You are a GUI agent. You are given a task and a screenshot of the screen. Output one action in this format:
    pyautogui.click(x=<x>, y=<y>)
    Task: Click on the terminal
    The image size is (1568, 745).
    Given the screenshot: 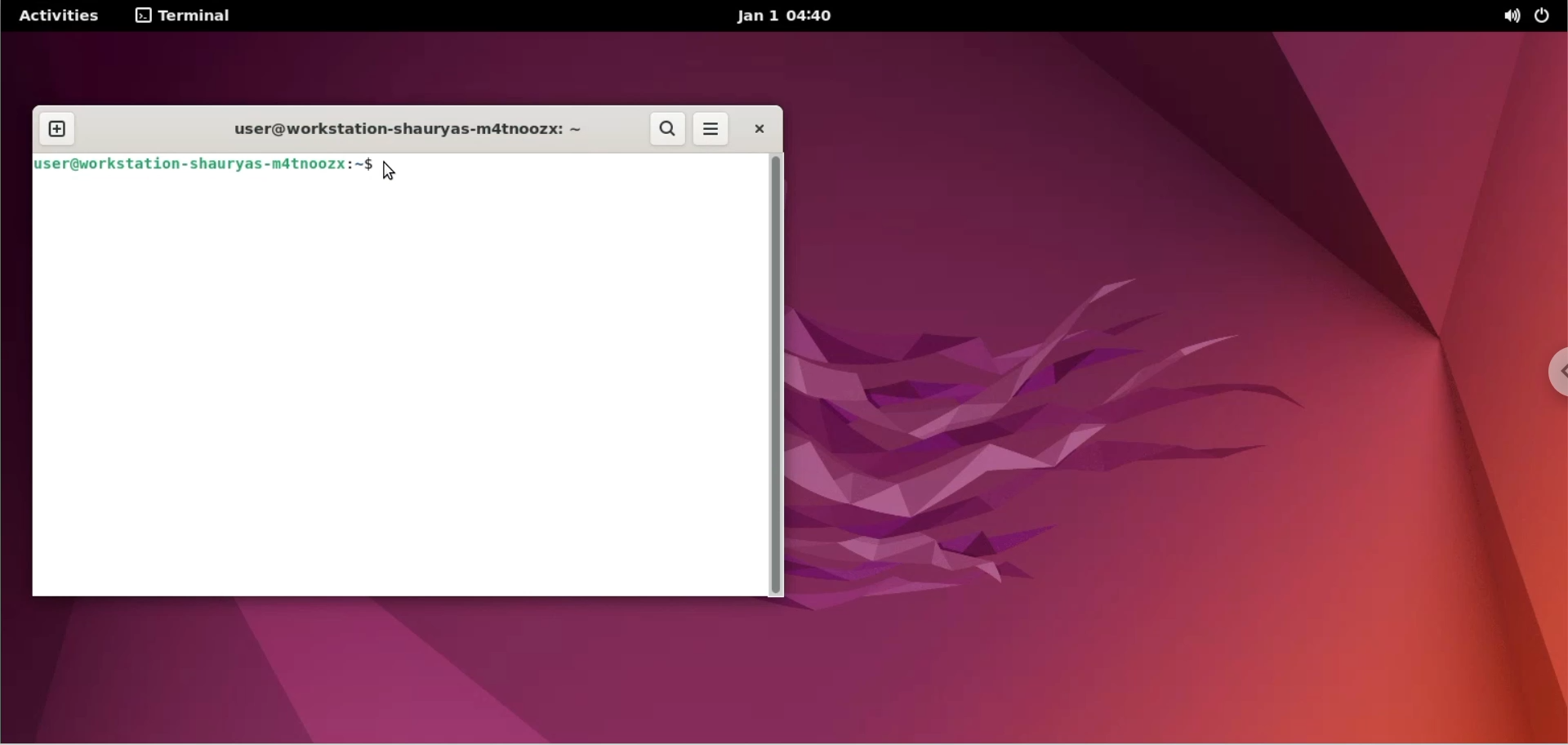 What is the action you would take?
    pyautogui.click(x=182, y=17)
    